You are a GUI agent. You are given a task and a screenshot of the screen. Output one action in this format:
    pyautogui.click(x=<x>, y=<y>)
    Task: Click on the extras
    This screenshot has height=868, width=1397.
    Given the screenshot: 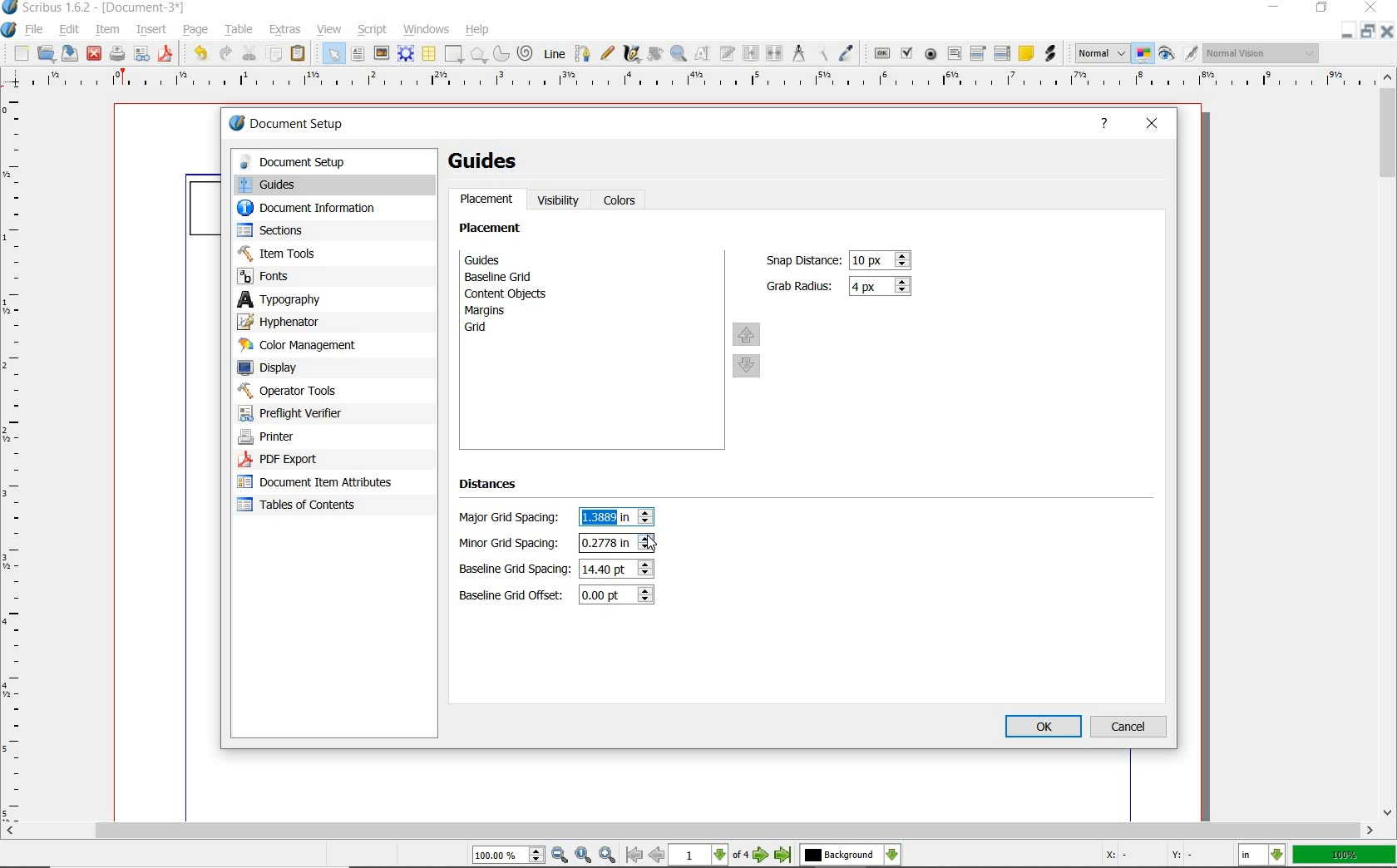 What is the action you would take?
    pyautogui.click(x=287, y=28)
    